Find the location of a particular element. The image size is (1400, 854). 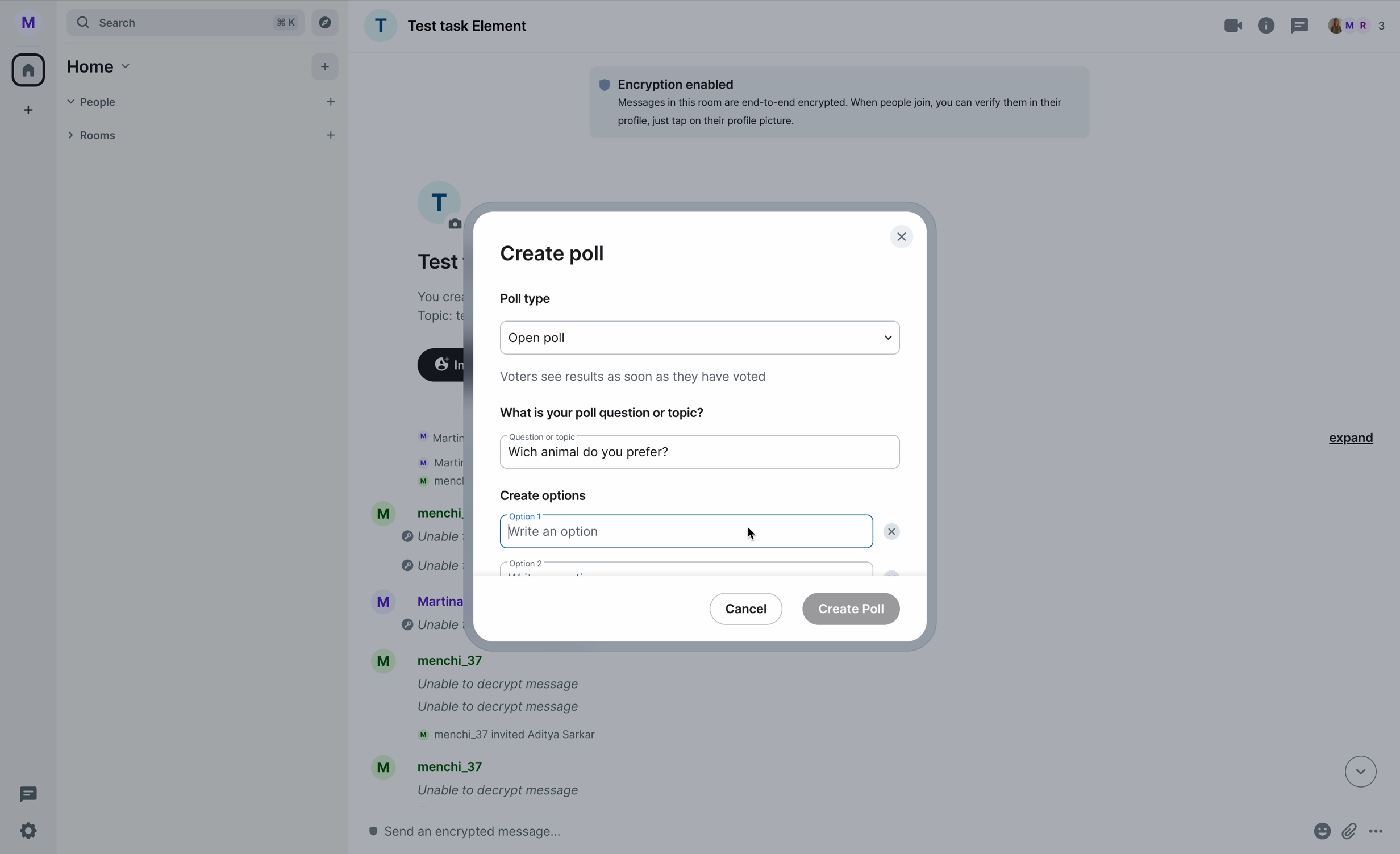

attach files is located at coordinates (1351, 836).